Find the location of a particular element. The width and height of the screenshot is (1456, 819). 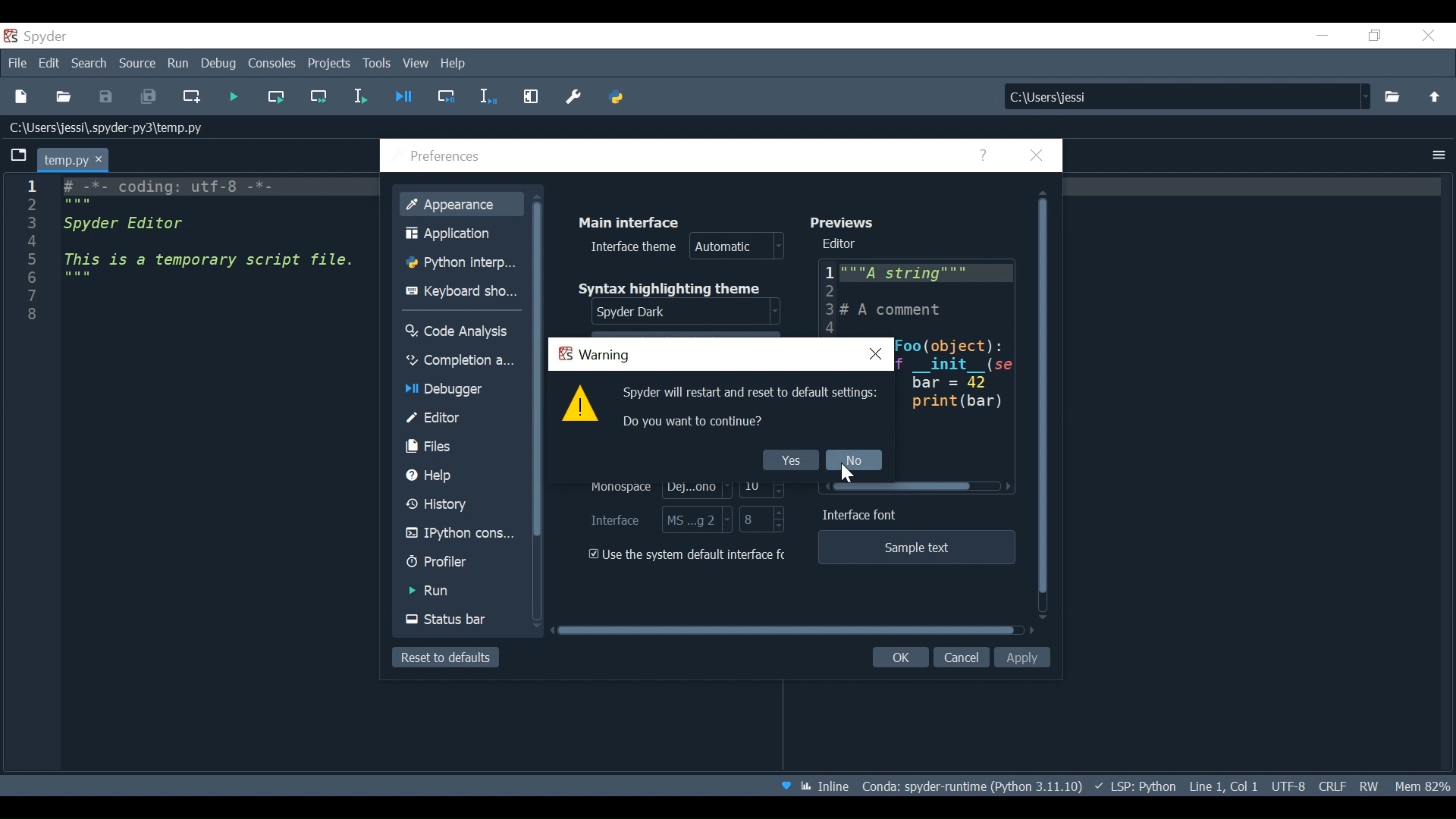

IPython console is located at coordinates (461, 535).